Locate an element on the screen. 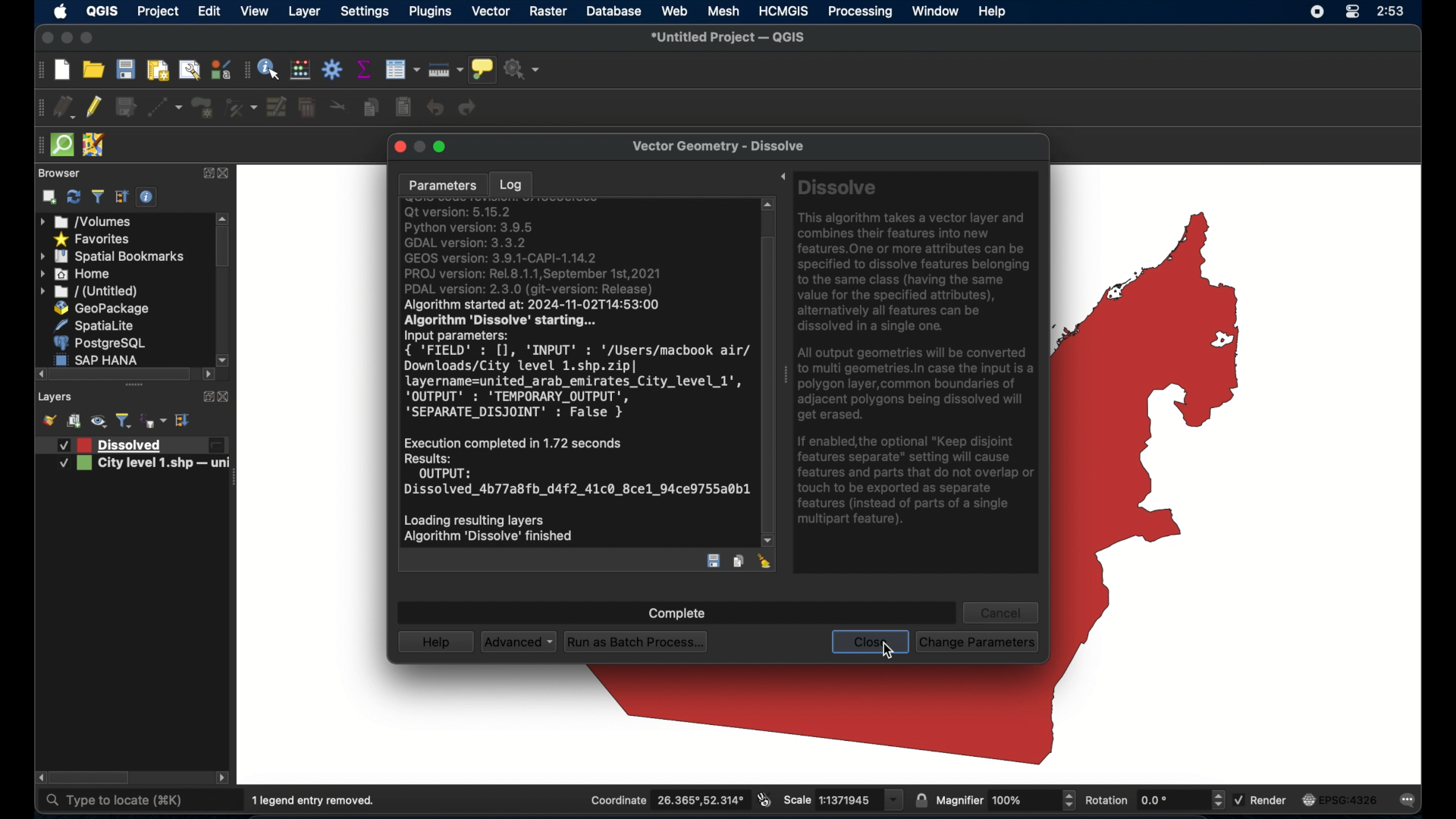 This screenshot has height=819, width=1456. untitled project - QGIS is located at coordinates (732, 38).